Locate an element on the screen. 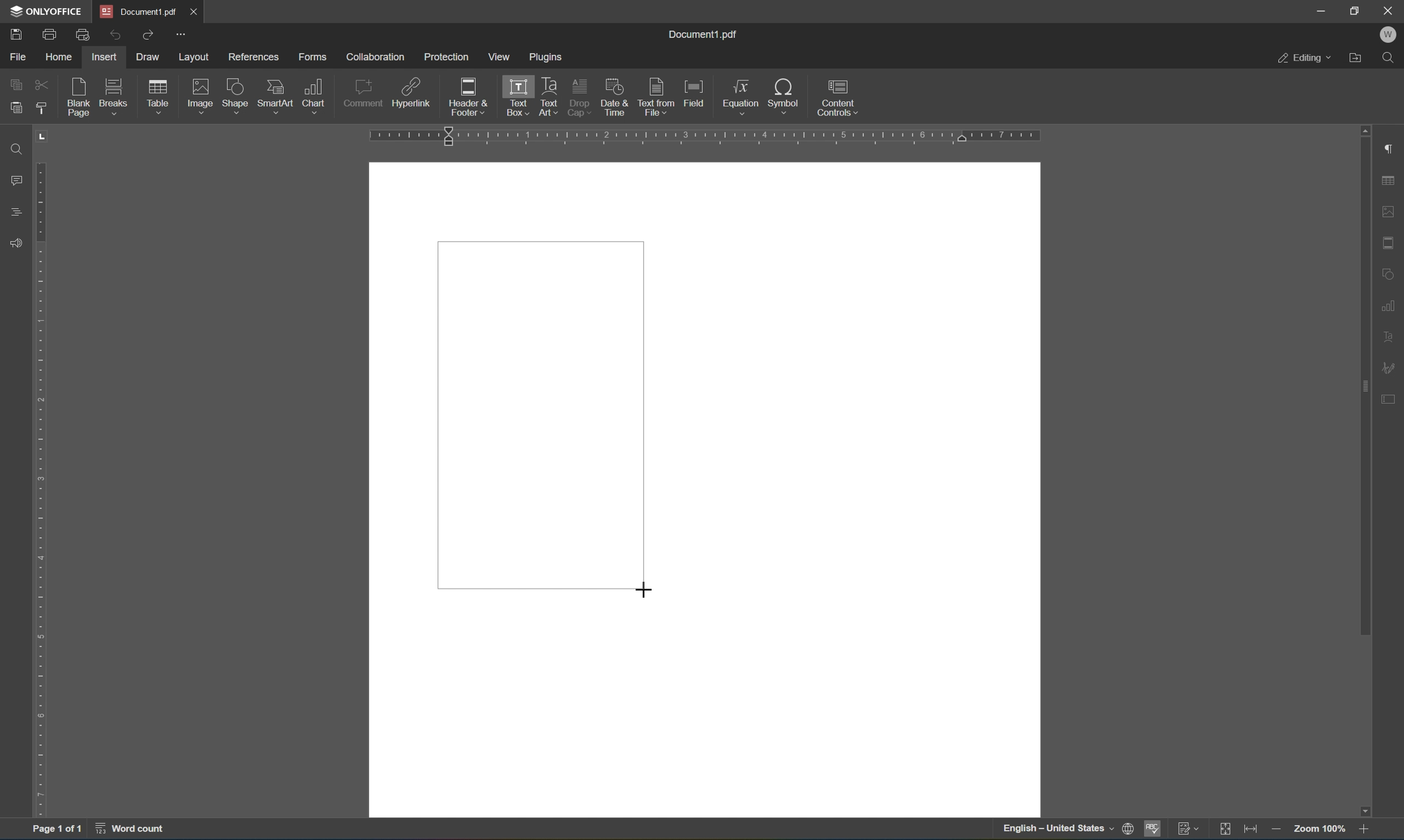 This screenshot has width=1404, height=840. Restore down is located at coordinates (1355, 11).